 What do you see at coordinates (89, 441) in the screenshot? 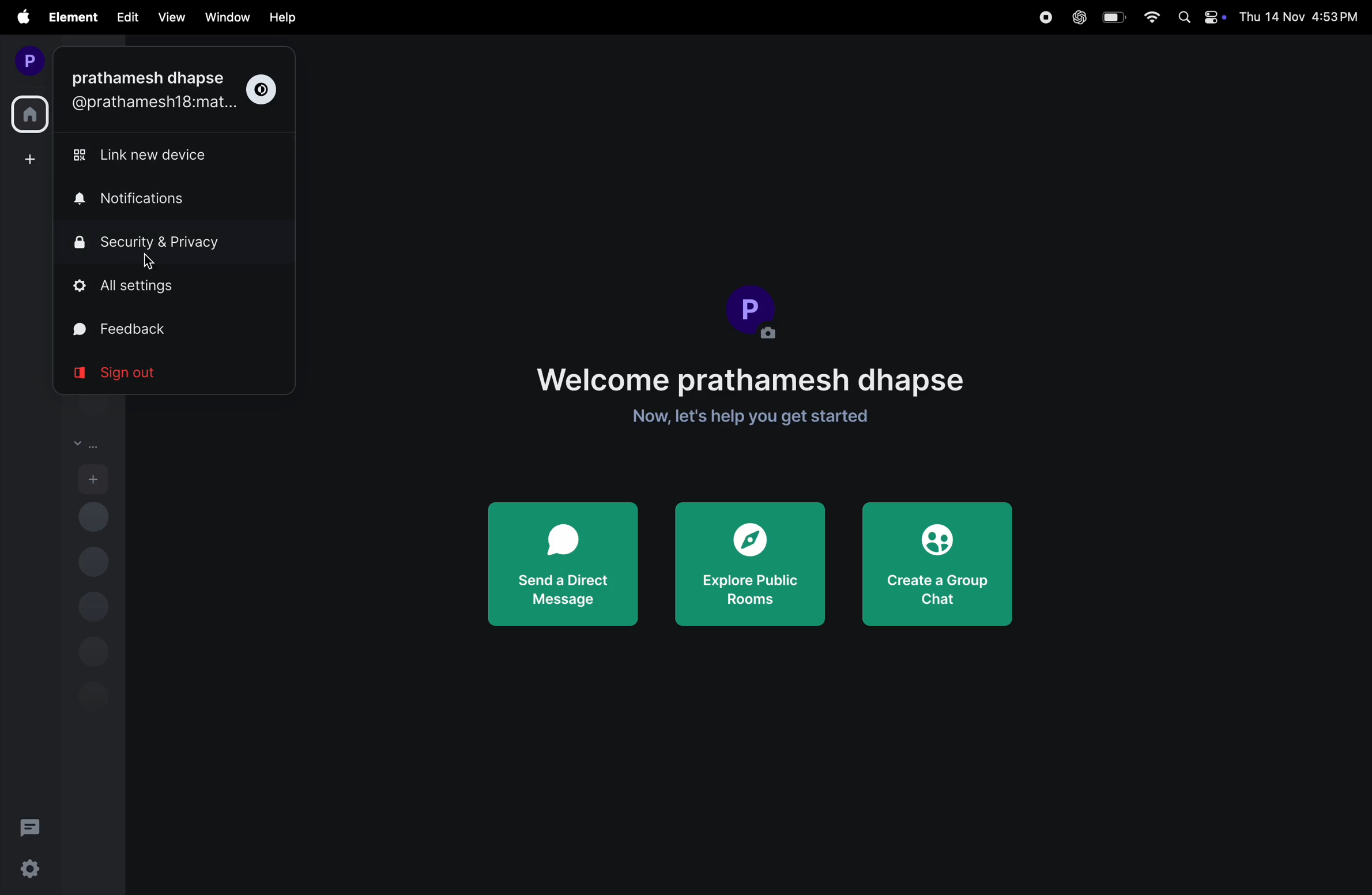
I see `room` at bounding box center [89, 441].